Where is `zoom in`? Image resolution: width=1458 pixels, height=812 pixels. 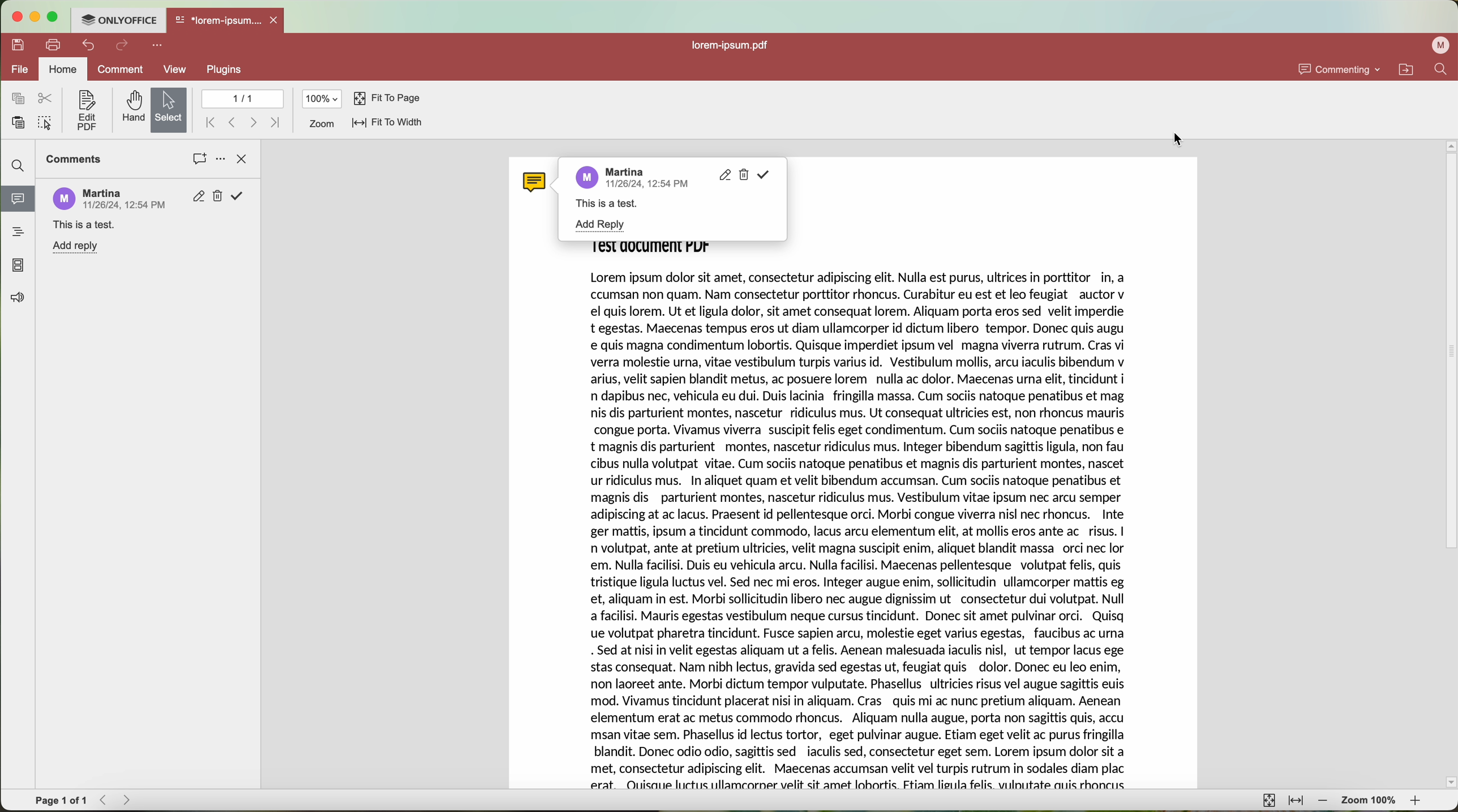 zoom in is located at coordinates (1419, 802).